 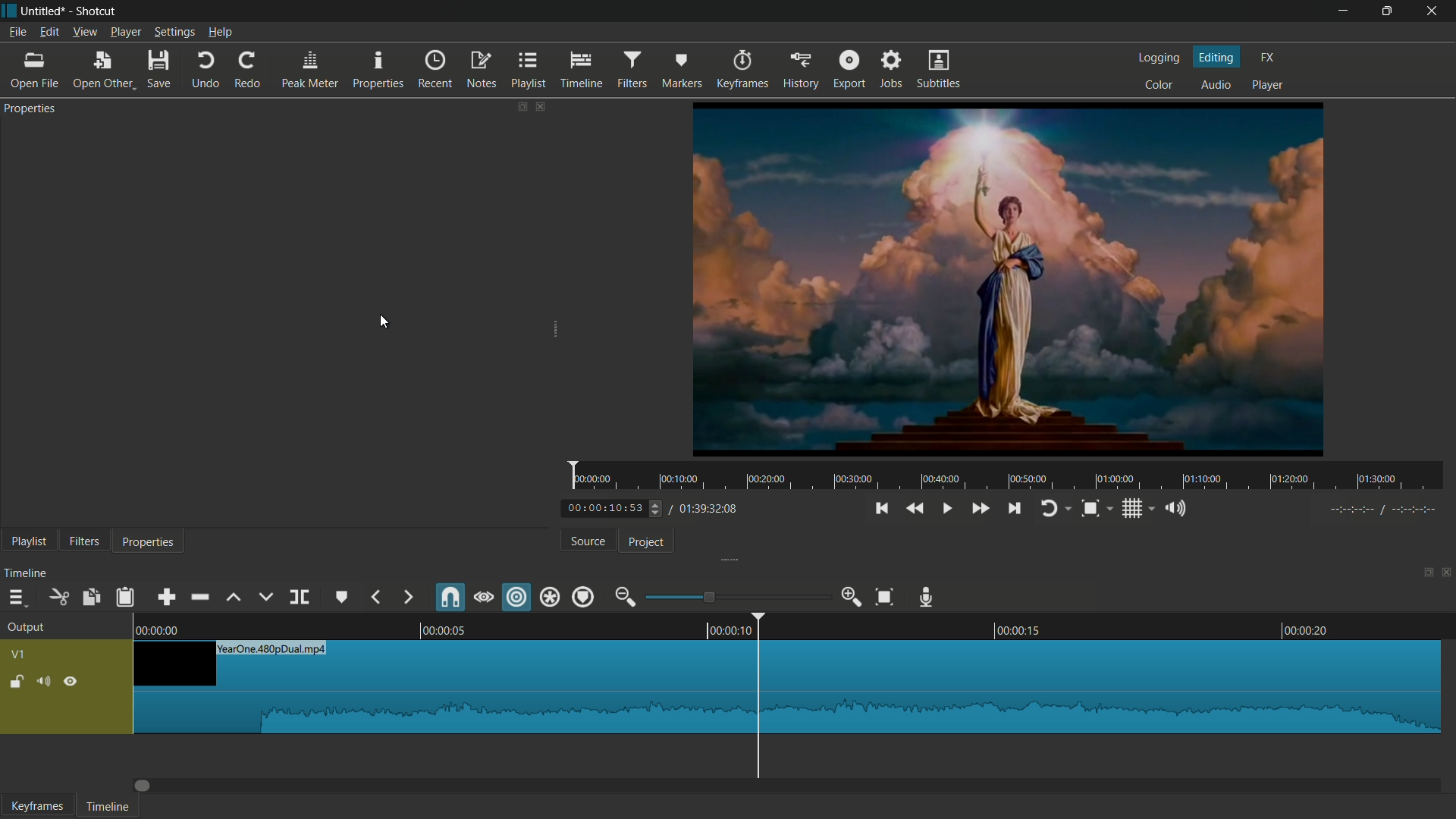 I want to click on redo, so click(x=246, y=68).